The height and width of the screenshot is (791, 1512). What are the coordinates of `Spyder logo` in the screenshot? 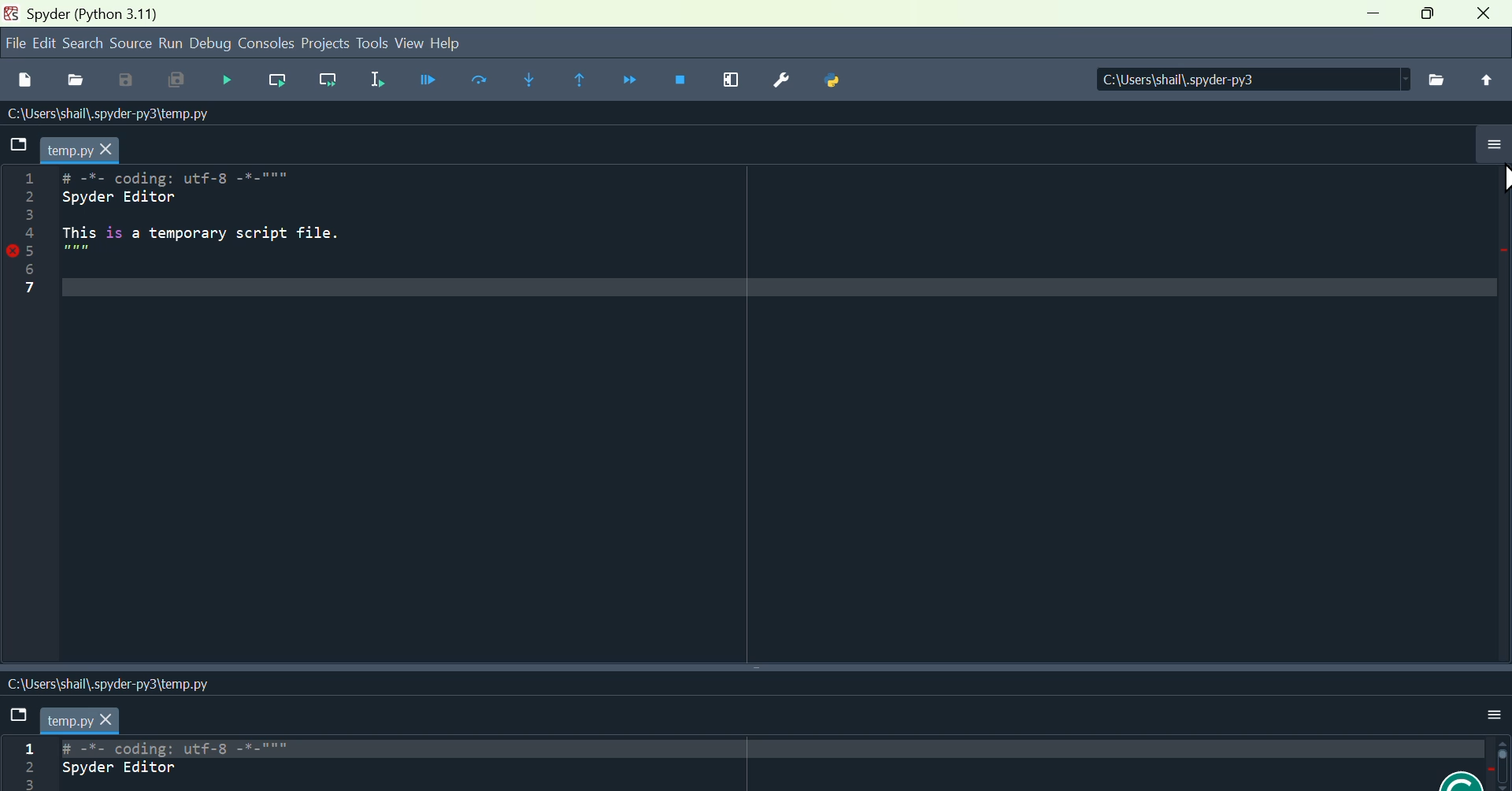 It's located at (9, 16).